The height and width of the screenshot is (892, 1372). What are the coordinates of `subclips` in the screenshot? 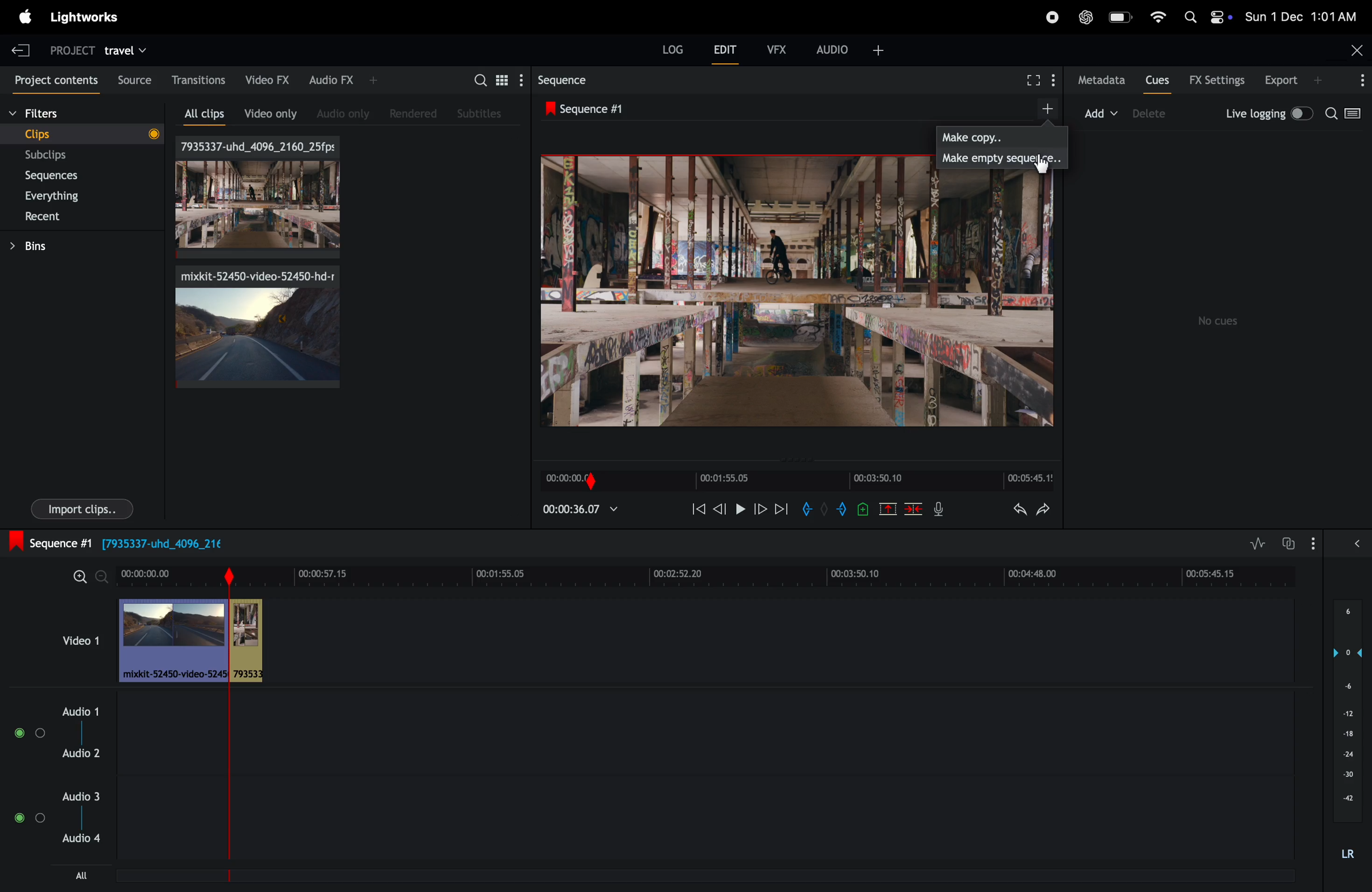 It's located at (76, 156).